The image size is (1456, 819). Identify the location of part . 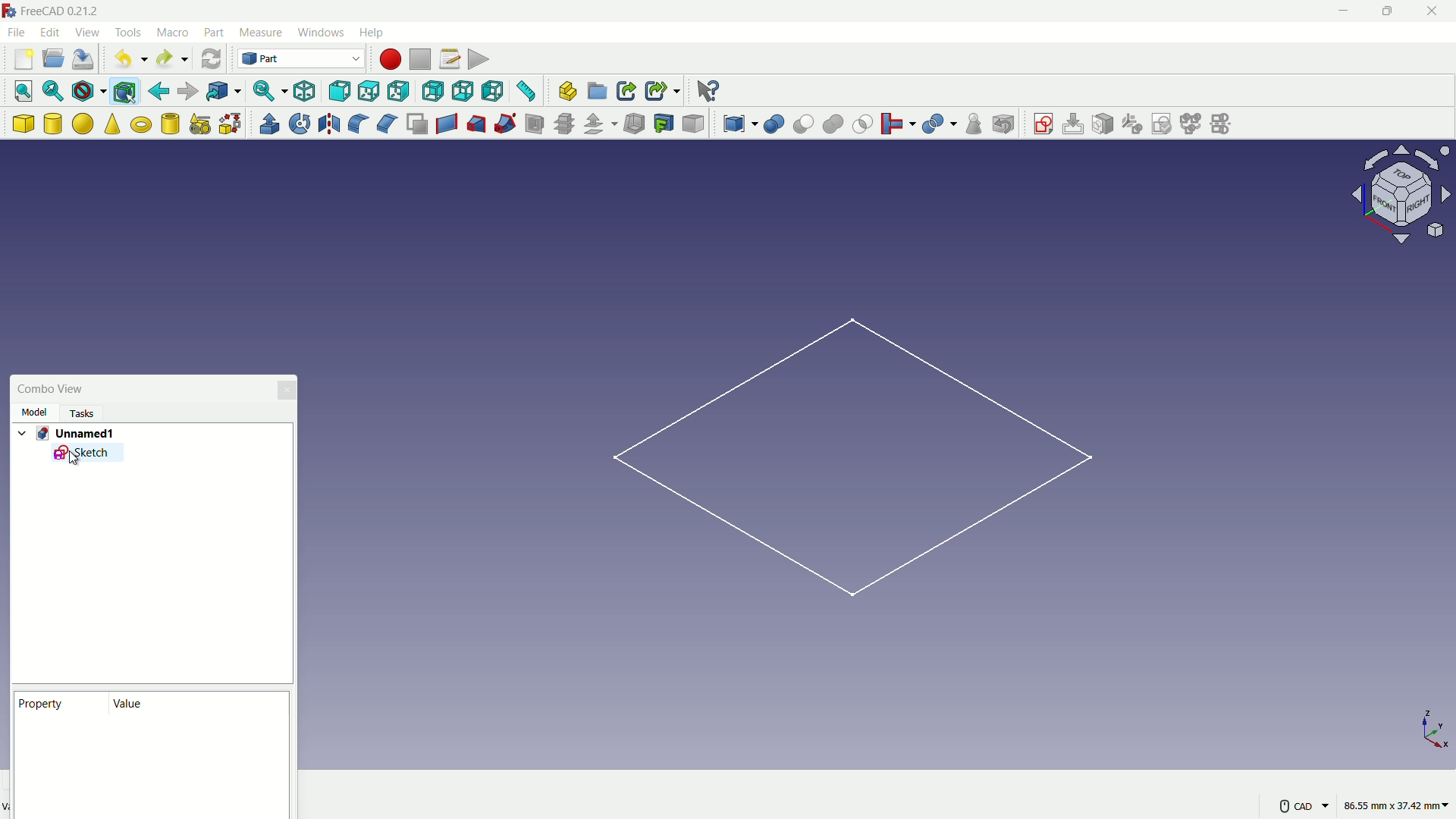
(214, 32).